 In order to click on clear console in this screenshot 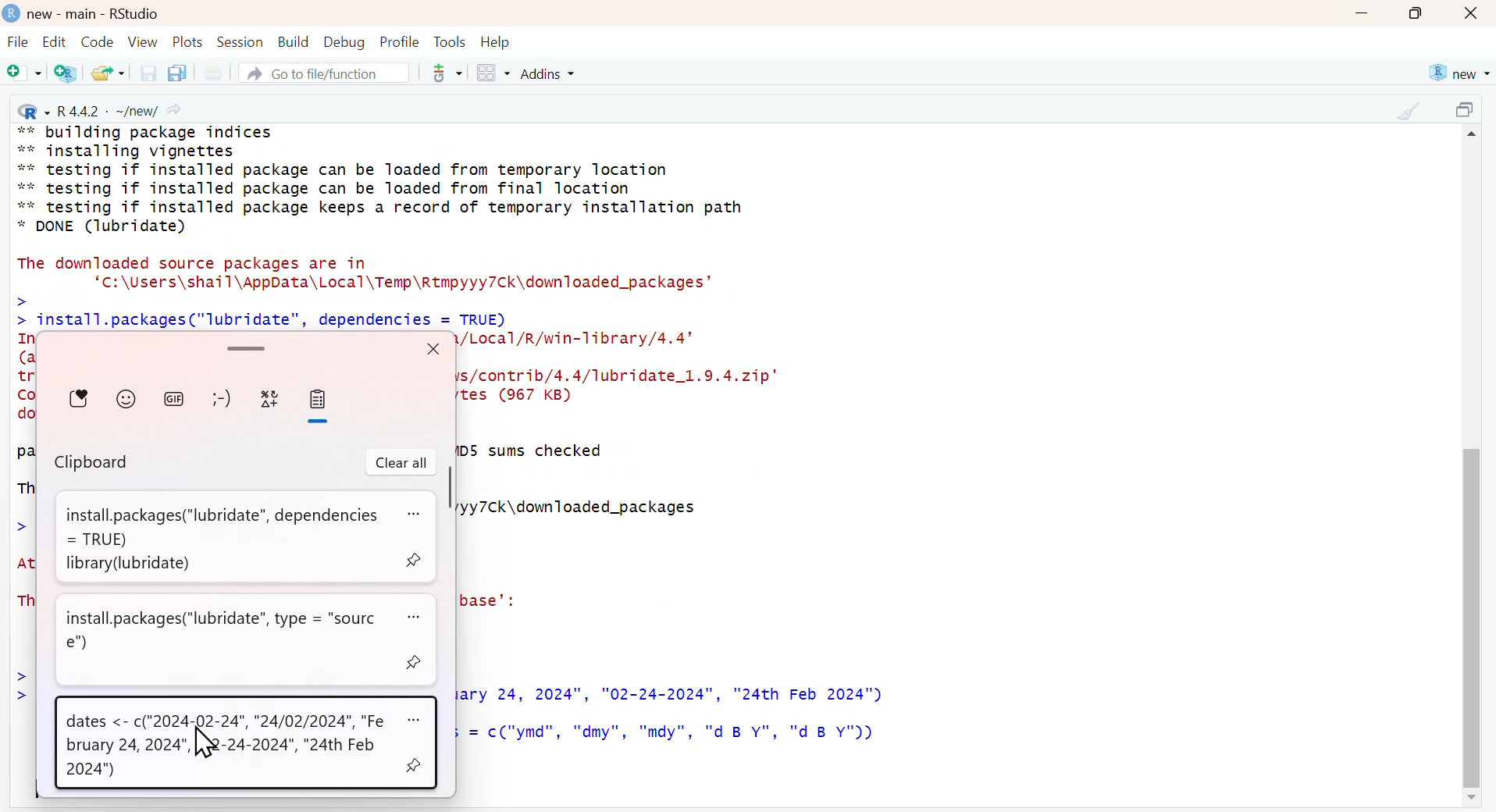, I will do `click(1408, 111)`.